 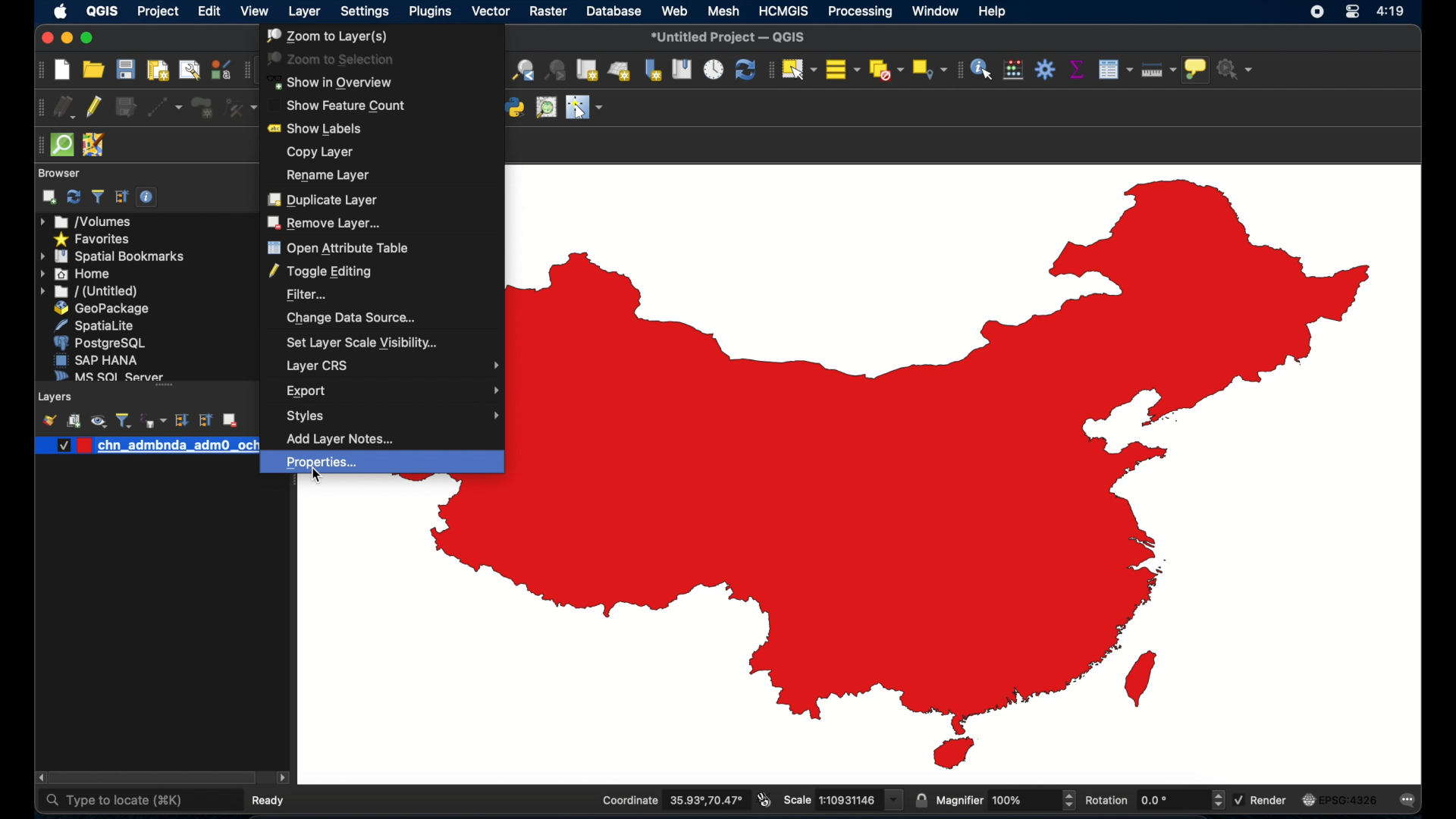 What do you see at coordinates (49, 197) in the screenshot?
I see `add selected layers` at bounding box center [49, 197].